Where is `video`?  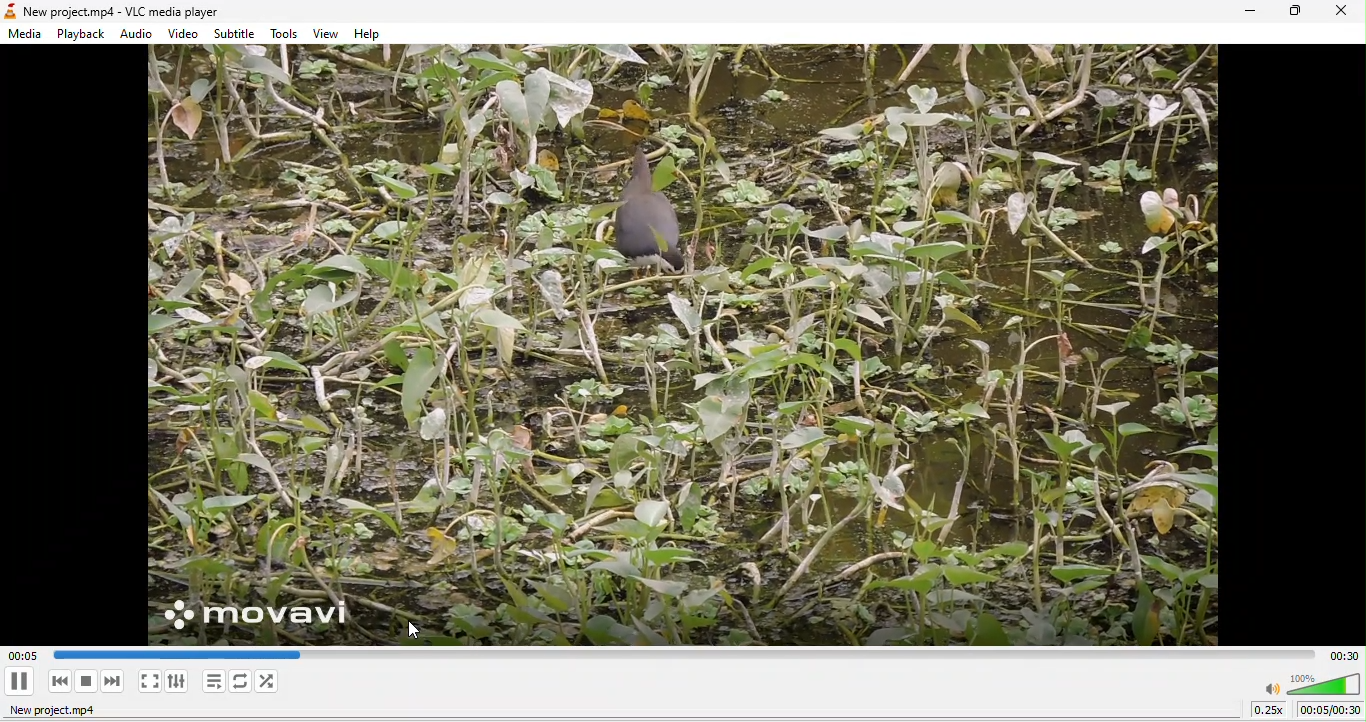 video is located at coordinates (185, 34).